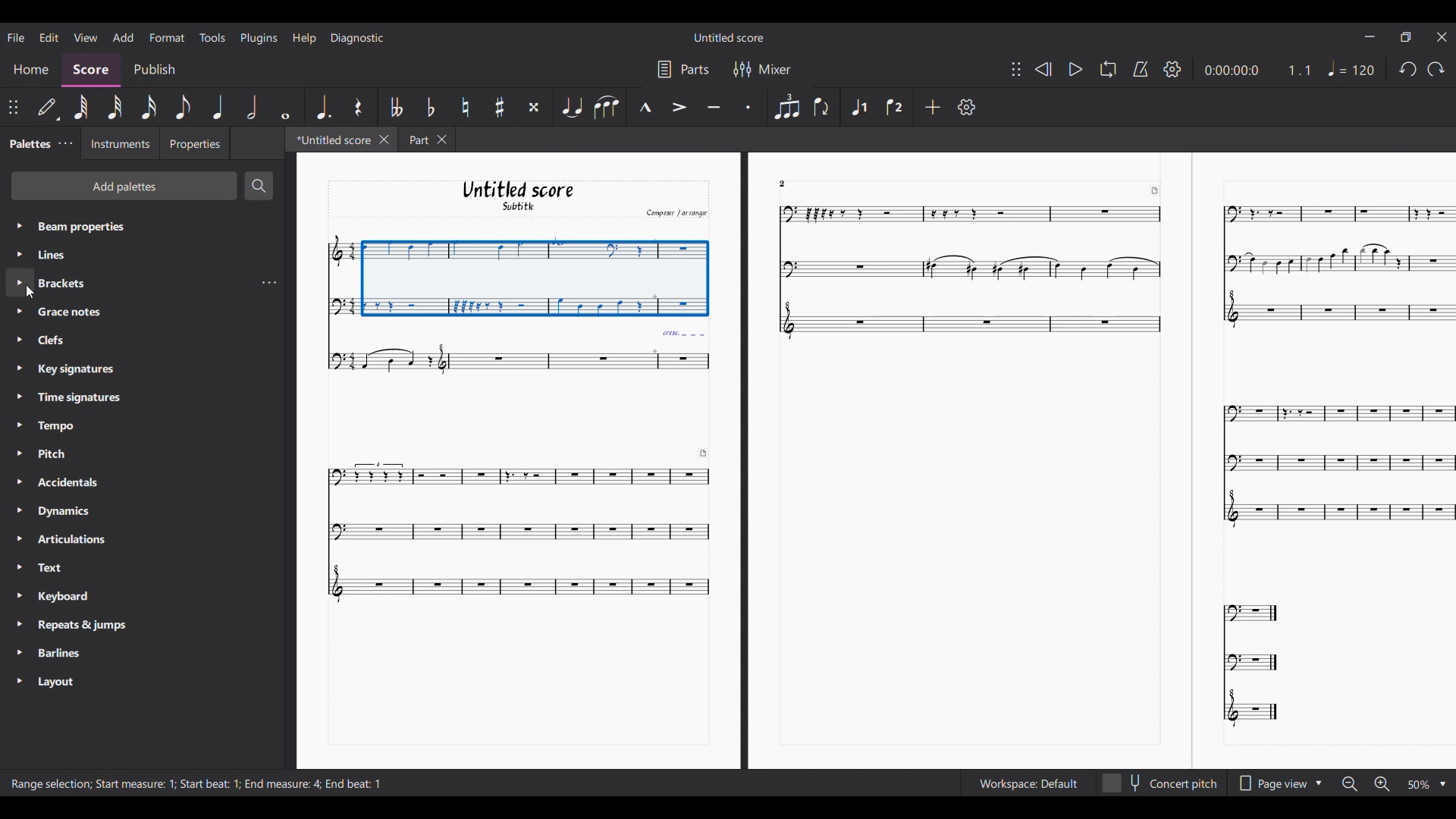  Describe the element at coordinates (268, 281) in the screenshot. I see `options` at that location.